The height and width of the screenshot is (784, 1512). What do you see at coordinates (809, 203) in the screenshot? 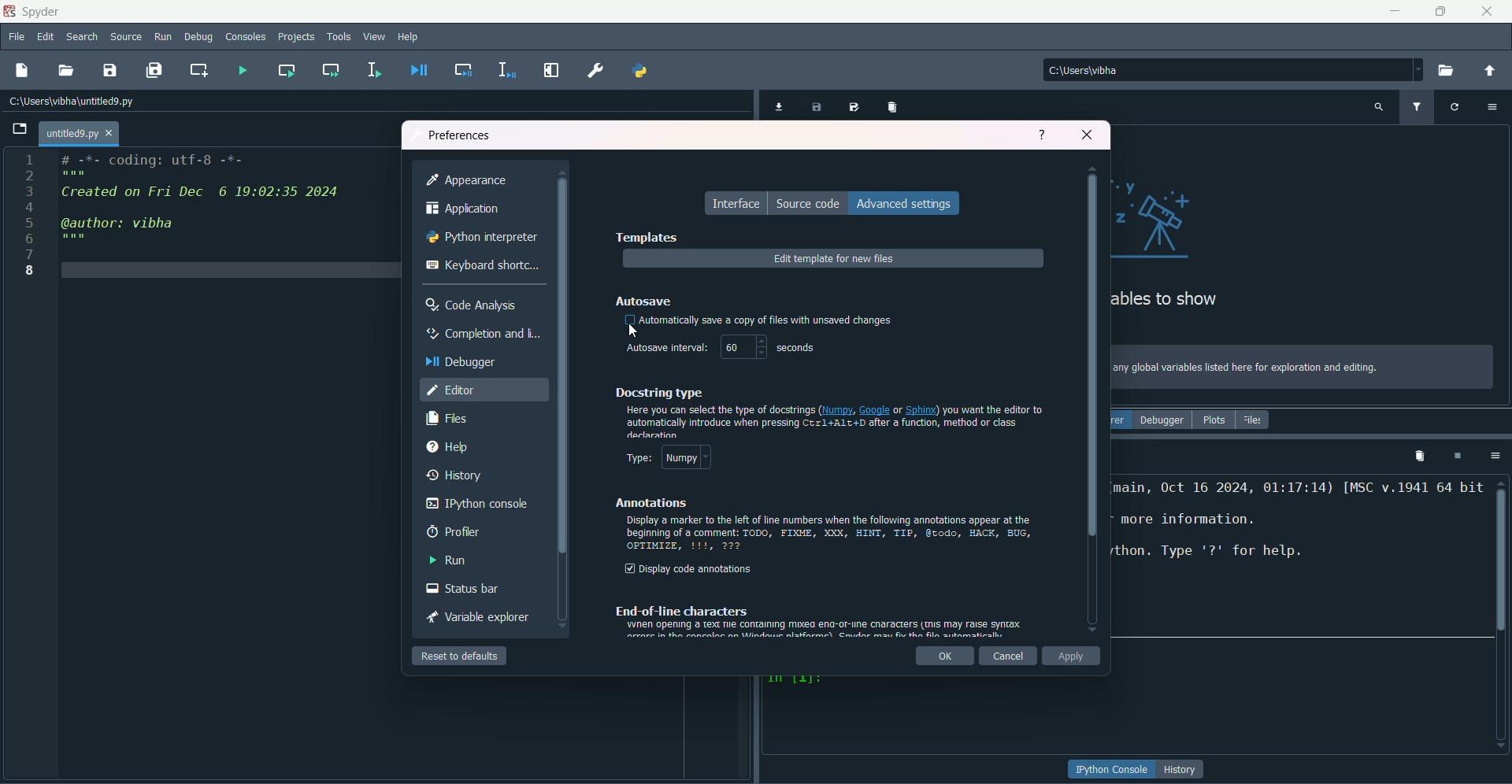
I see `source code` at bounding box center [809, 203].